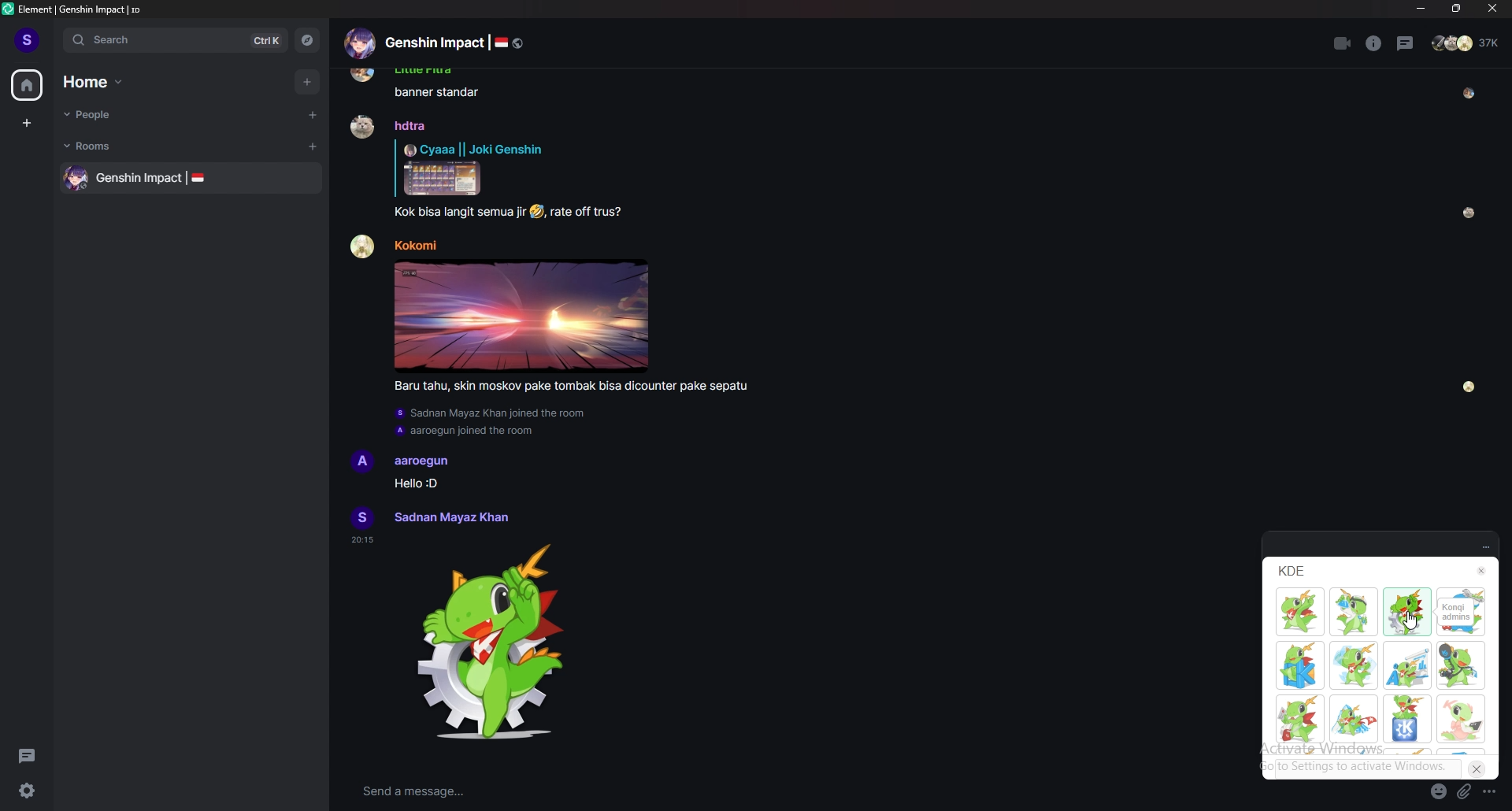 The image size is (1512, 811). Describe the element at coordinates (27, 755) in the screenshot. I see `threads` at that location.